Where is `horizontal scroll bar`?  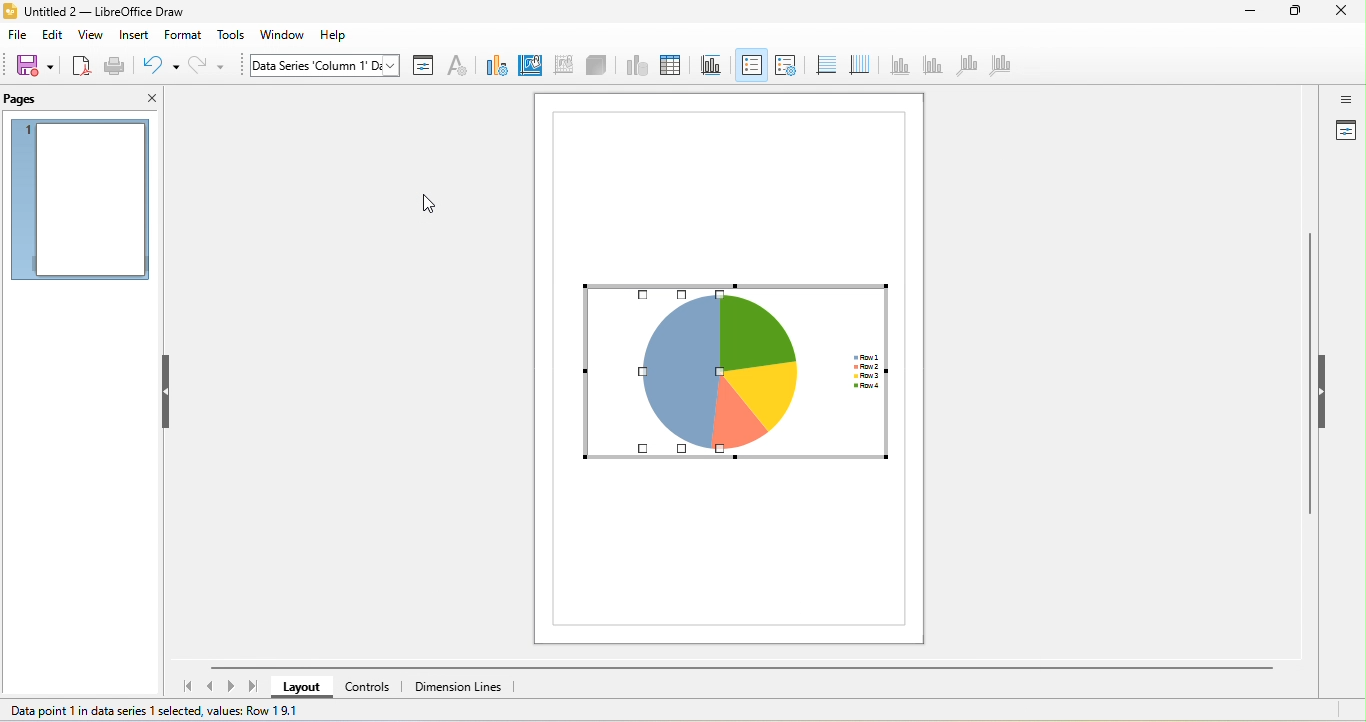 horizontal scroll bar is located at coordinates (739, 668).